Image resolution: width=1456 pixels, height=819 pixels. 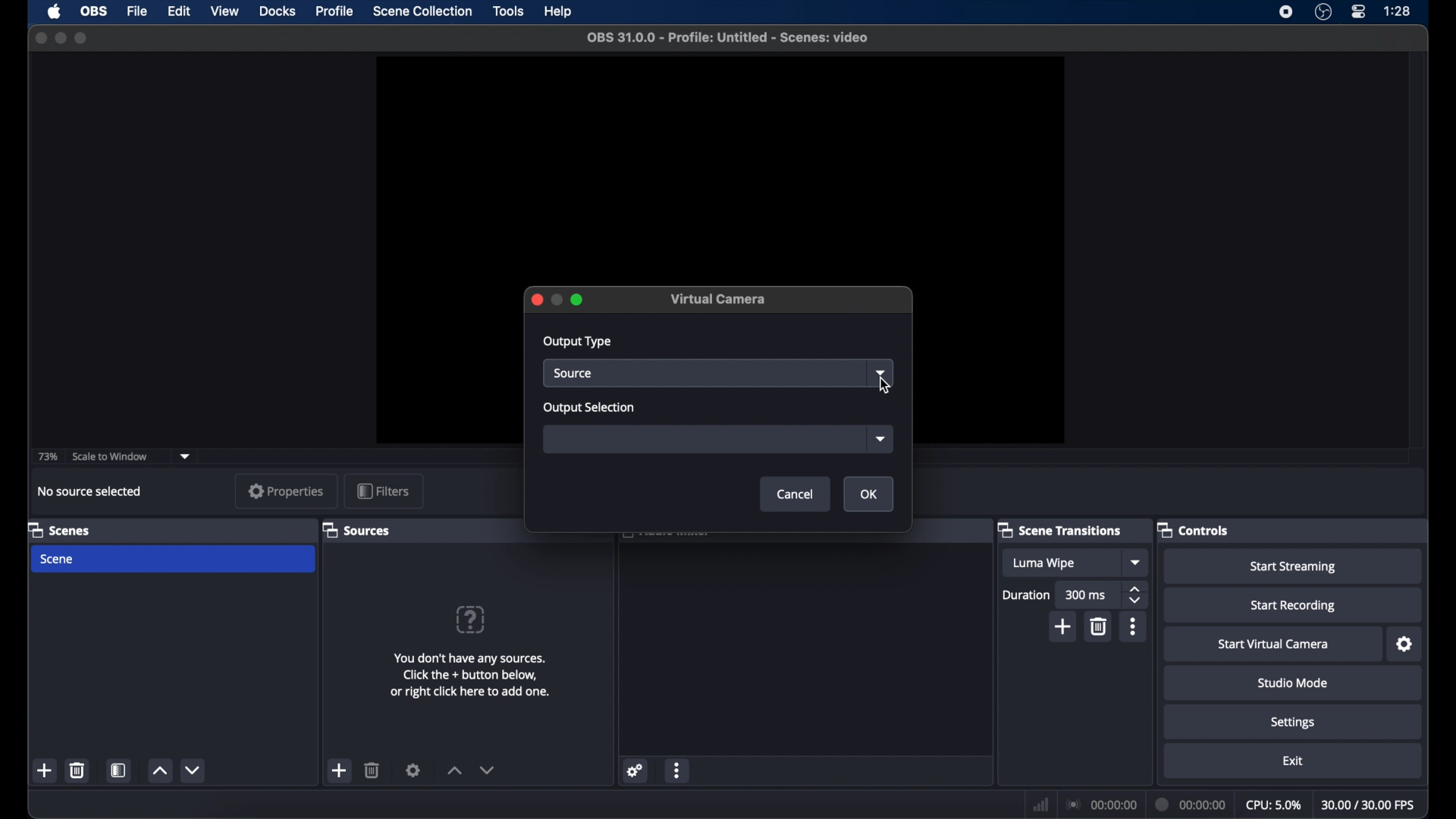 I want to click on properties, so click(x=286, y=491).